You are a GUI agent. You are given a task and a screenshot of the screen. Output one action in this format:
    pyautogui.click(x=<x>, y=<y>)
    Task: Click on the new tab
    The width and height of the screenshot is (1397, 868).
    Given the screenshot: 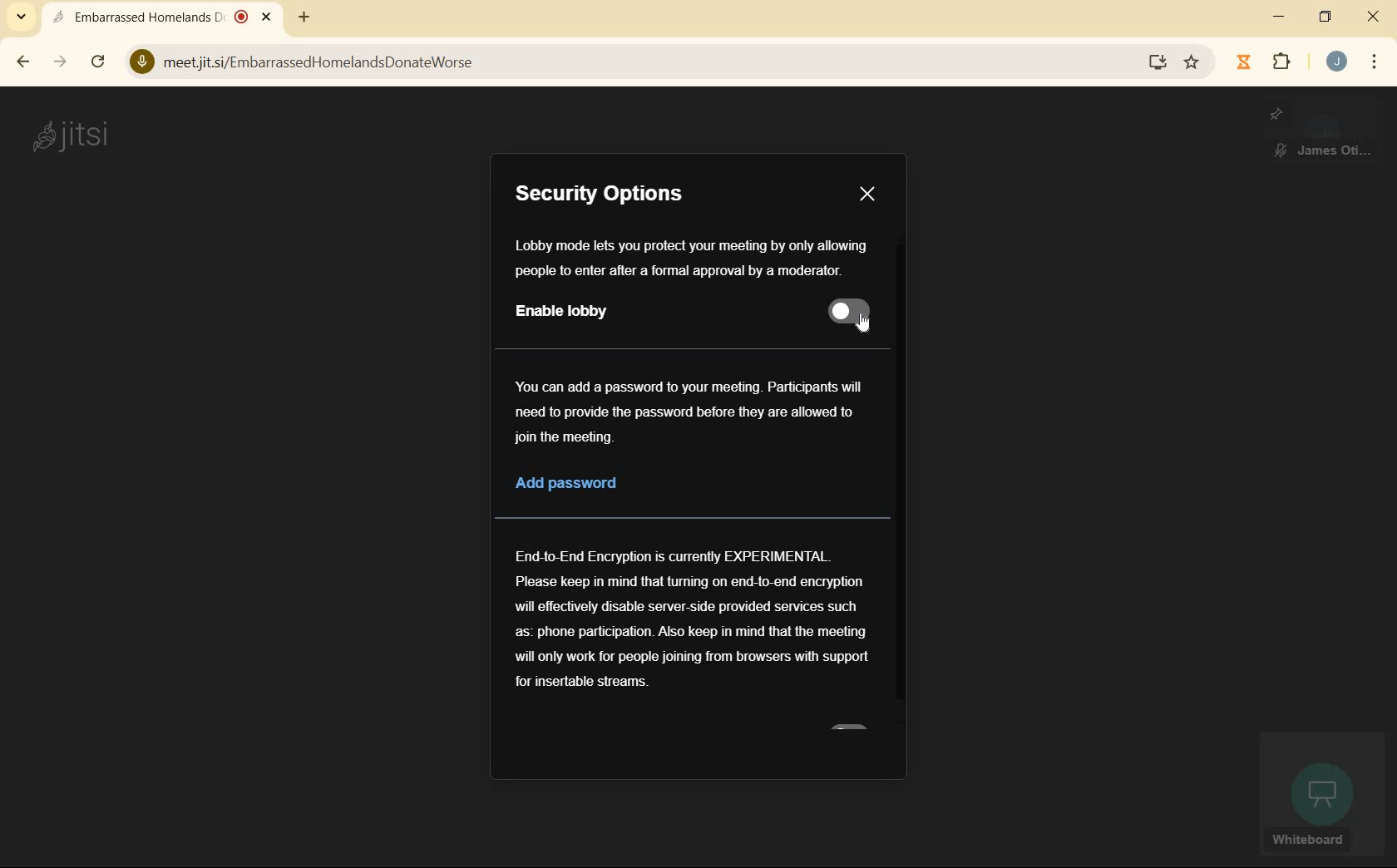 What is the action you would take?
    pyautogui.click(x=304, y=18)
    